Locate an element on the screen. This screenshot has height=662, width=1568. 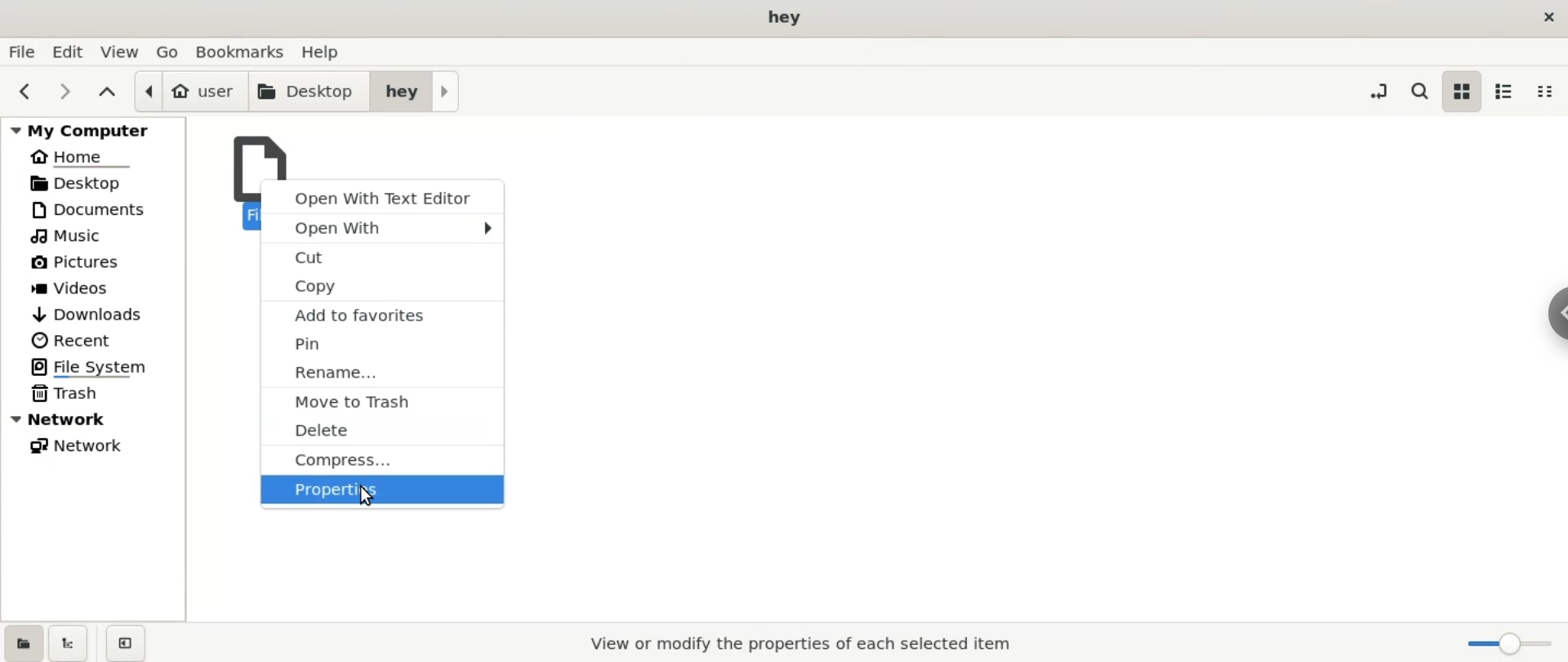
zoom is located at coordinates (1511, 646).